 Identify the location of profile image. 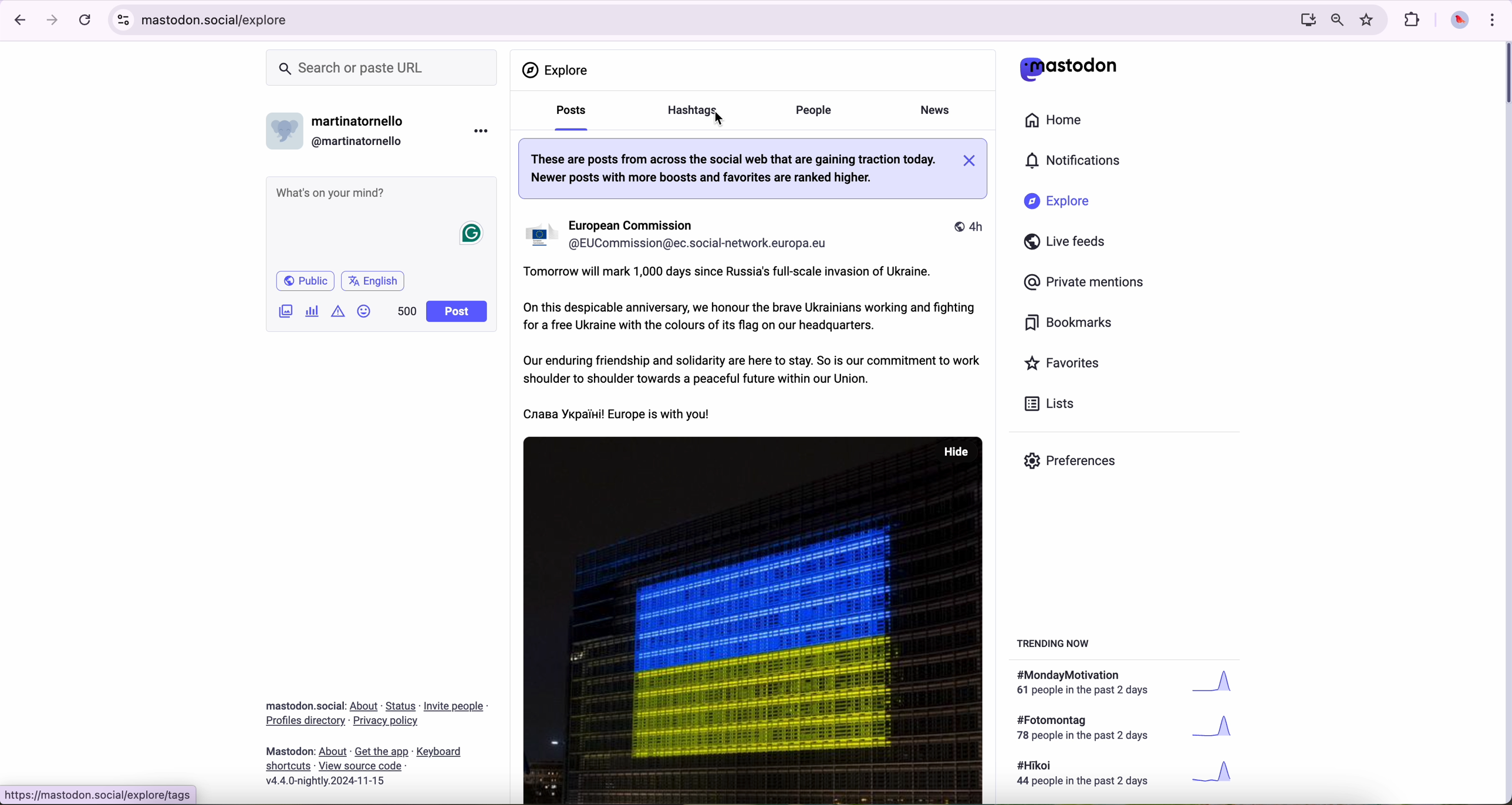
(541, 238).